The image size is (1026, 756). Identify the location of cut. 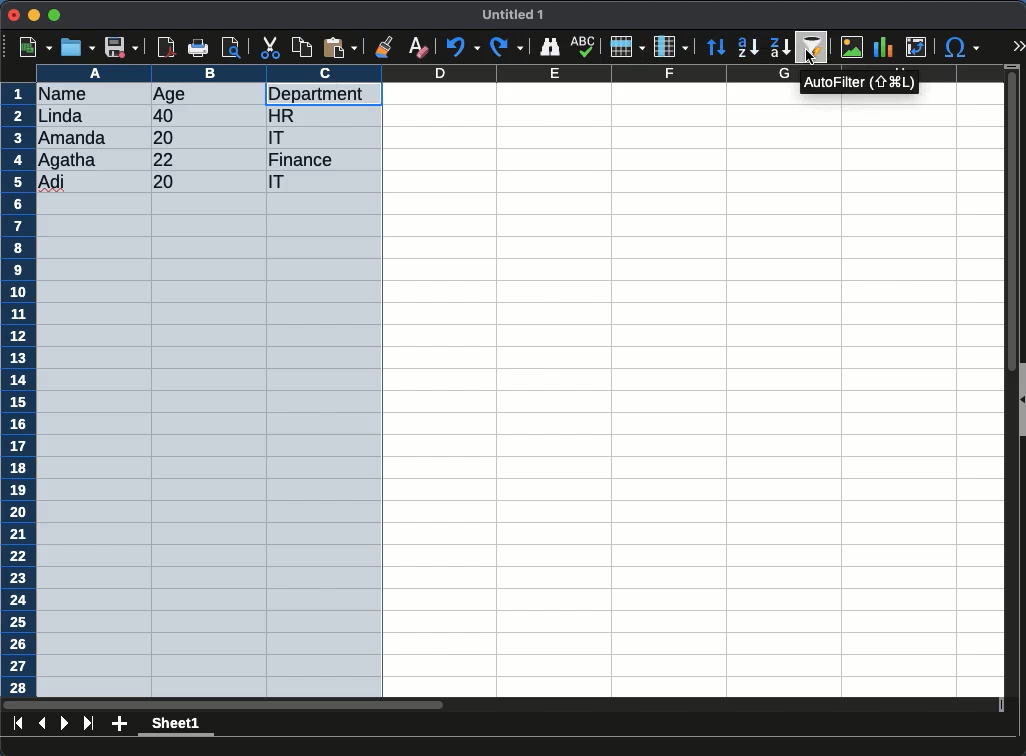
(271, 47).